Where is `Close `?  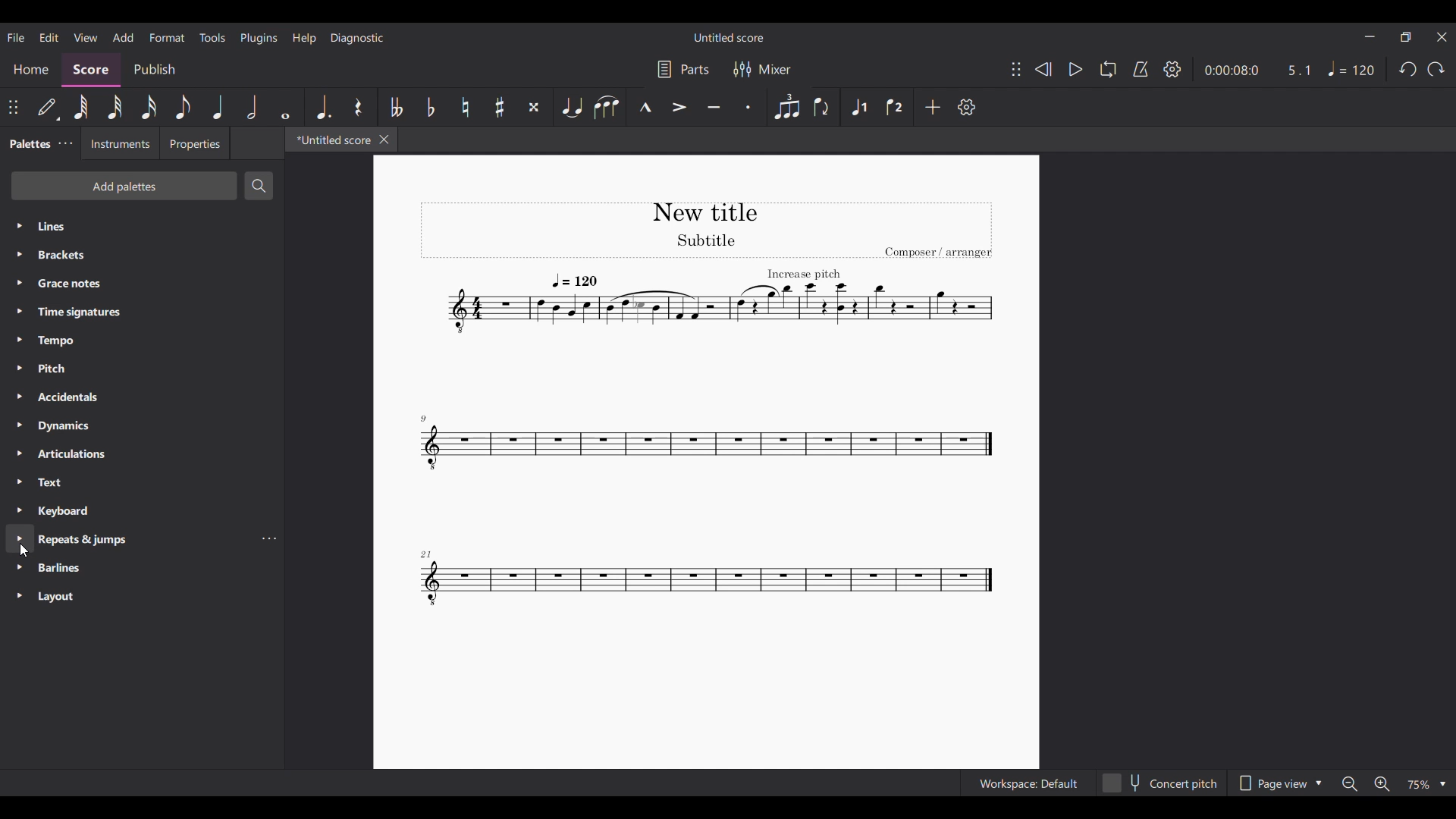
Close  is located at coordinates (384, 140).